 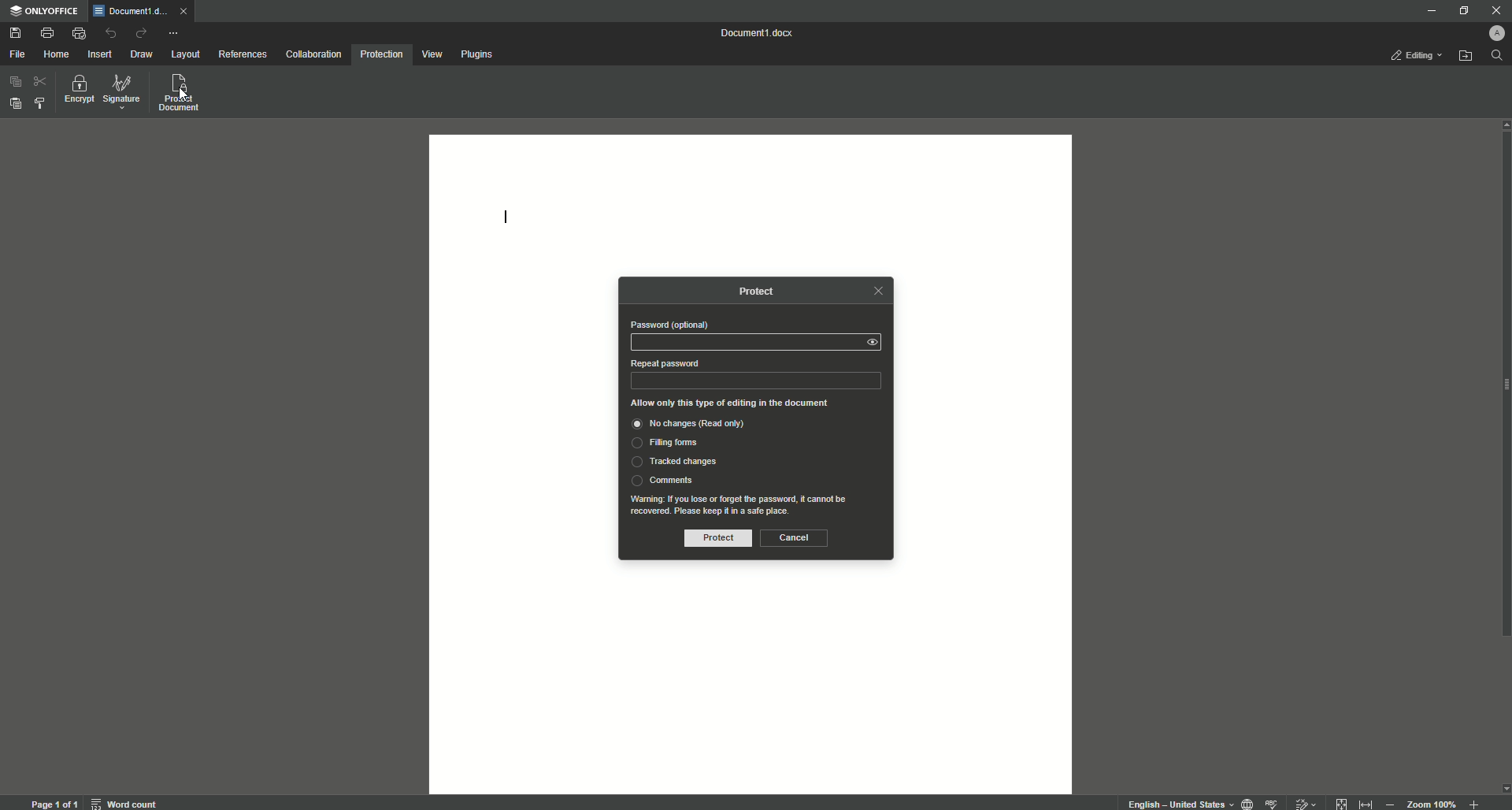 I want to click on Allow only this type of editing in the document, so click(x=741, y=403).